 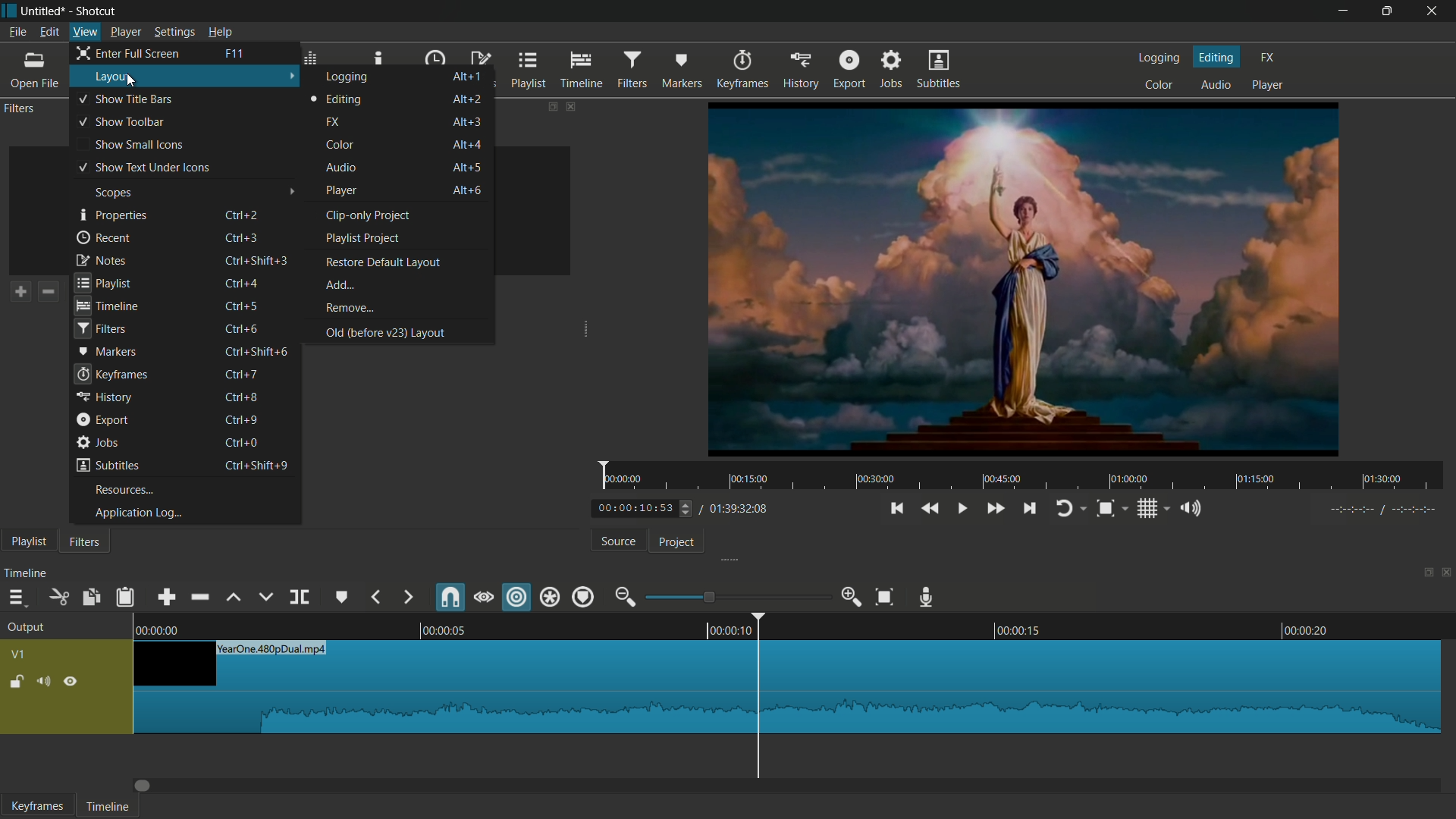 What do you see at coordinates (406, 598) in the screenshot?
I see `next marker` at bounding box center [406, 598].